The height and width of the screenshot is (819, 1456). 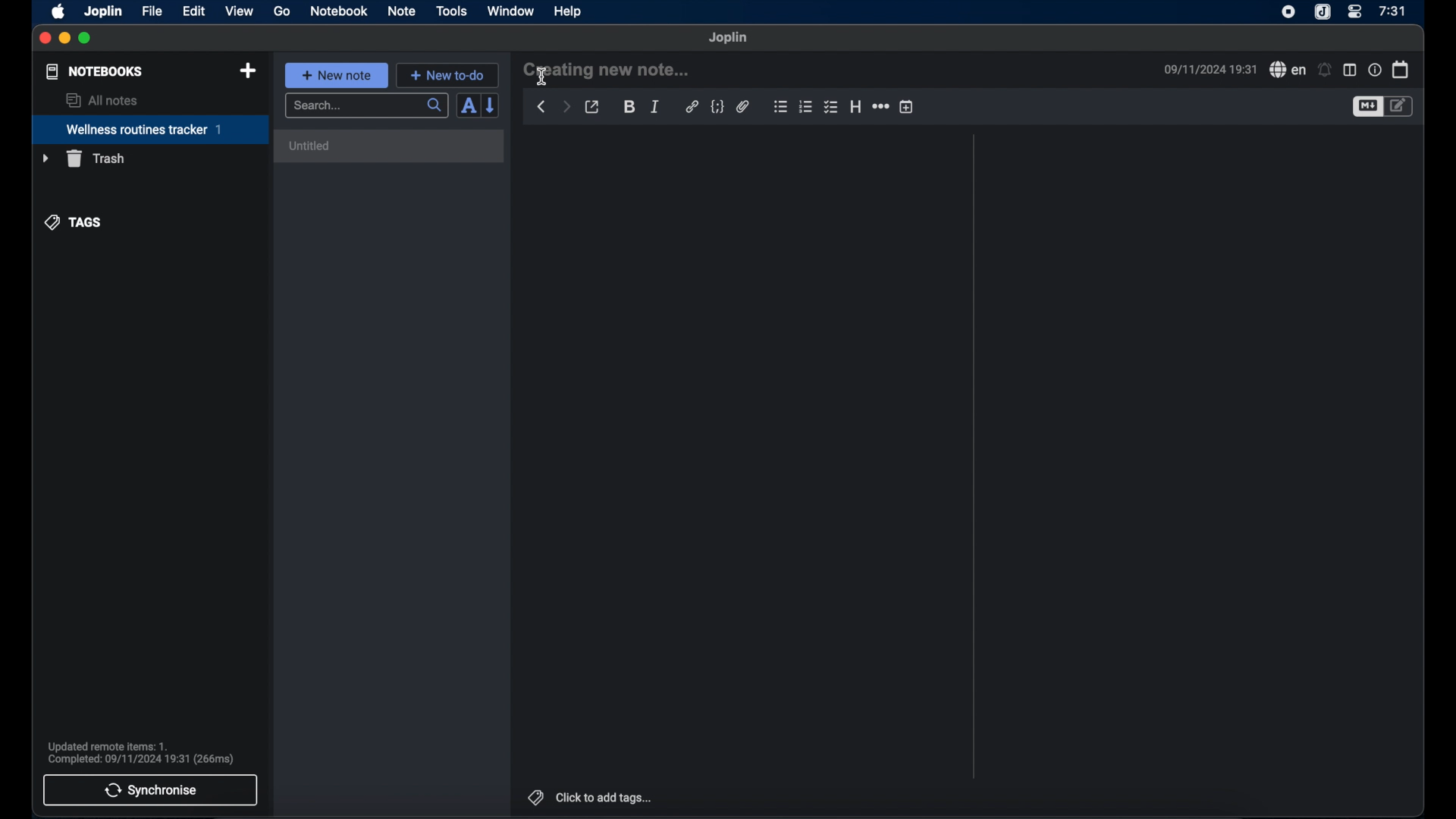 What do you see at coordinates (452, 11) in the screenshot?
I see `tools` at bounding box center [452, 11].